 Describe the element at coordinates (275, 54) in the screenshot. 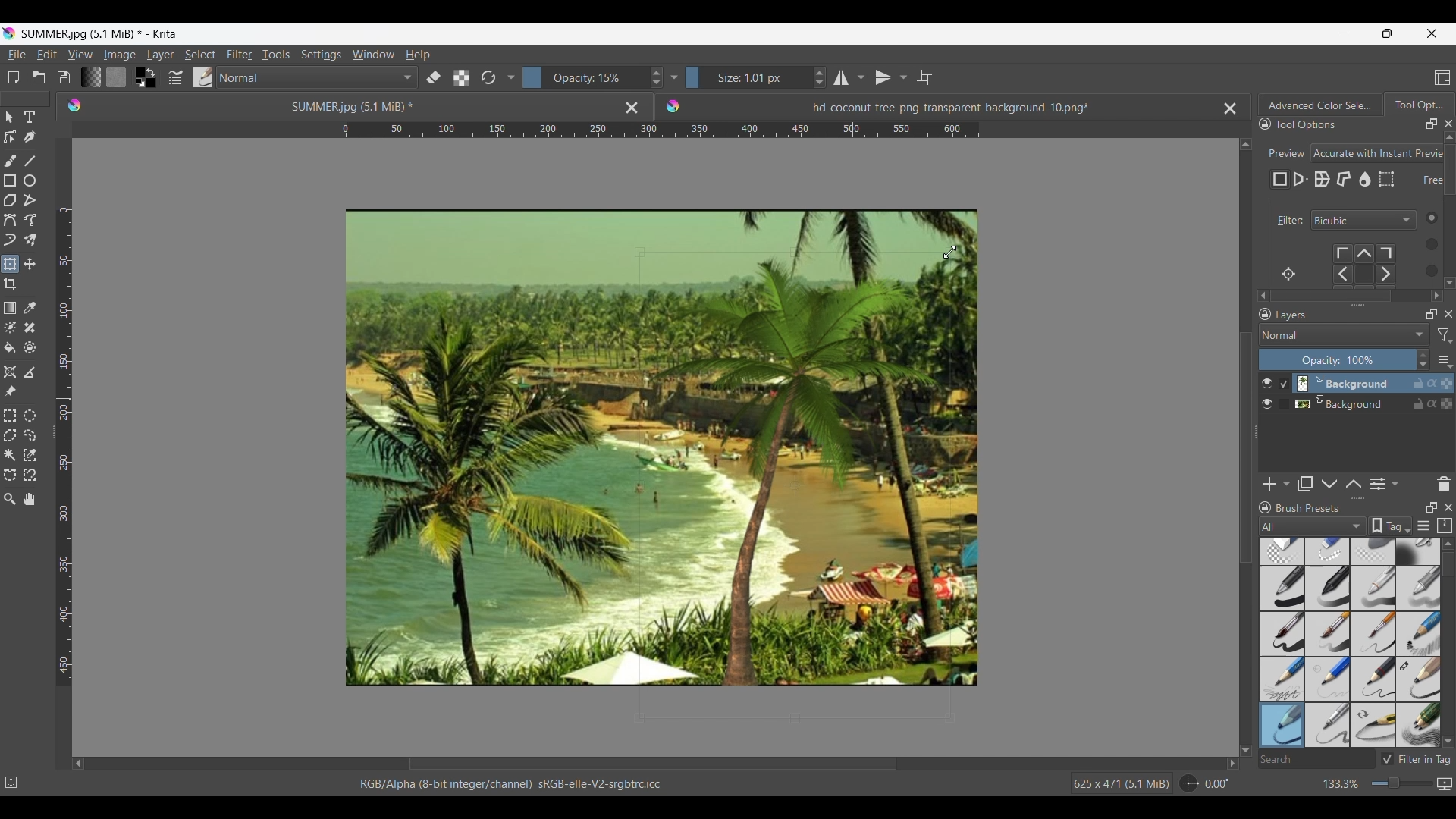

I see `Tools` at that location.